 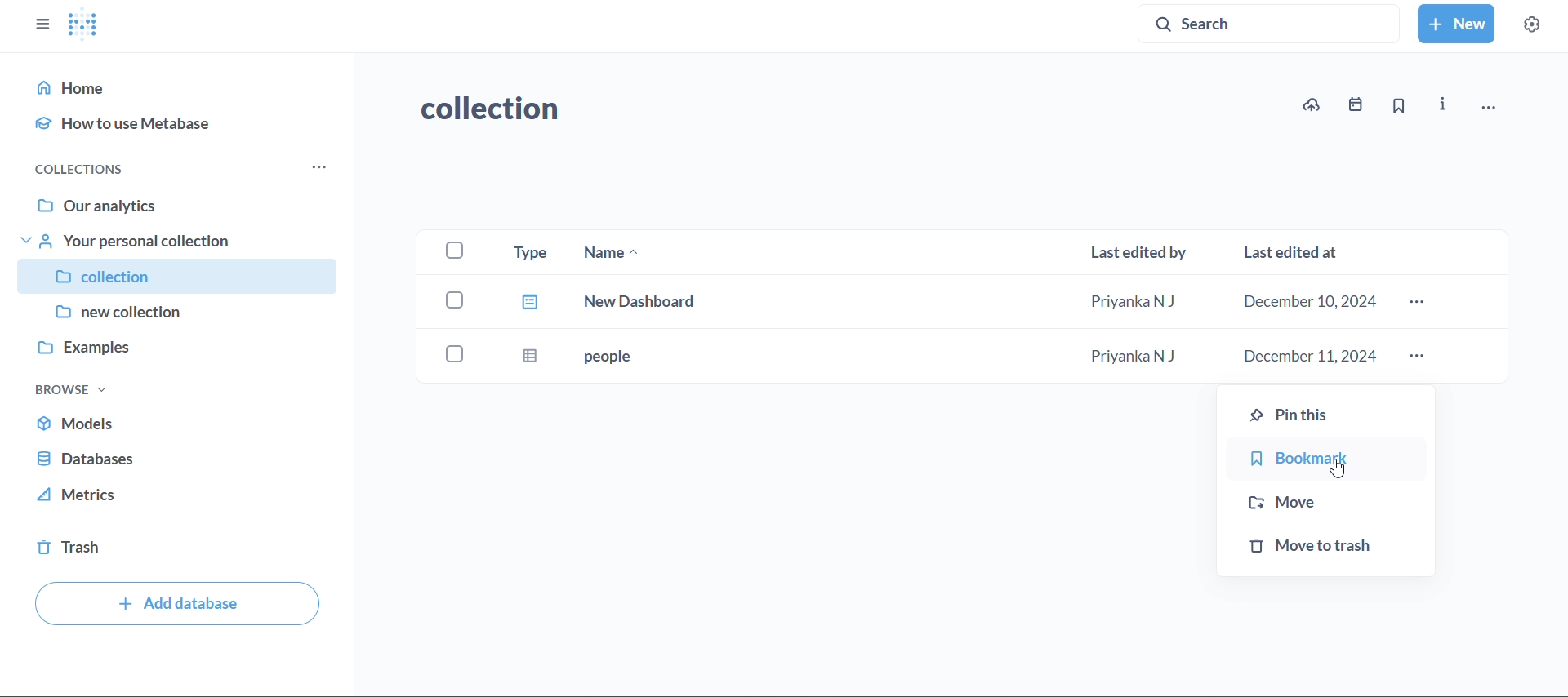 What do you see at coordinates (1353, 105) in the screenshot?
I see `events` at bounding box center [1353, 105].